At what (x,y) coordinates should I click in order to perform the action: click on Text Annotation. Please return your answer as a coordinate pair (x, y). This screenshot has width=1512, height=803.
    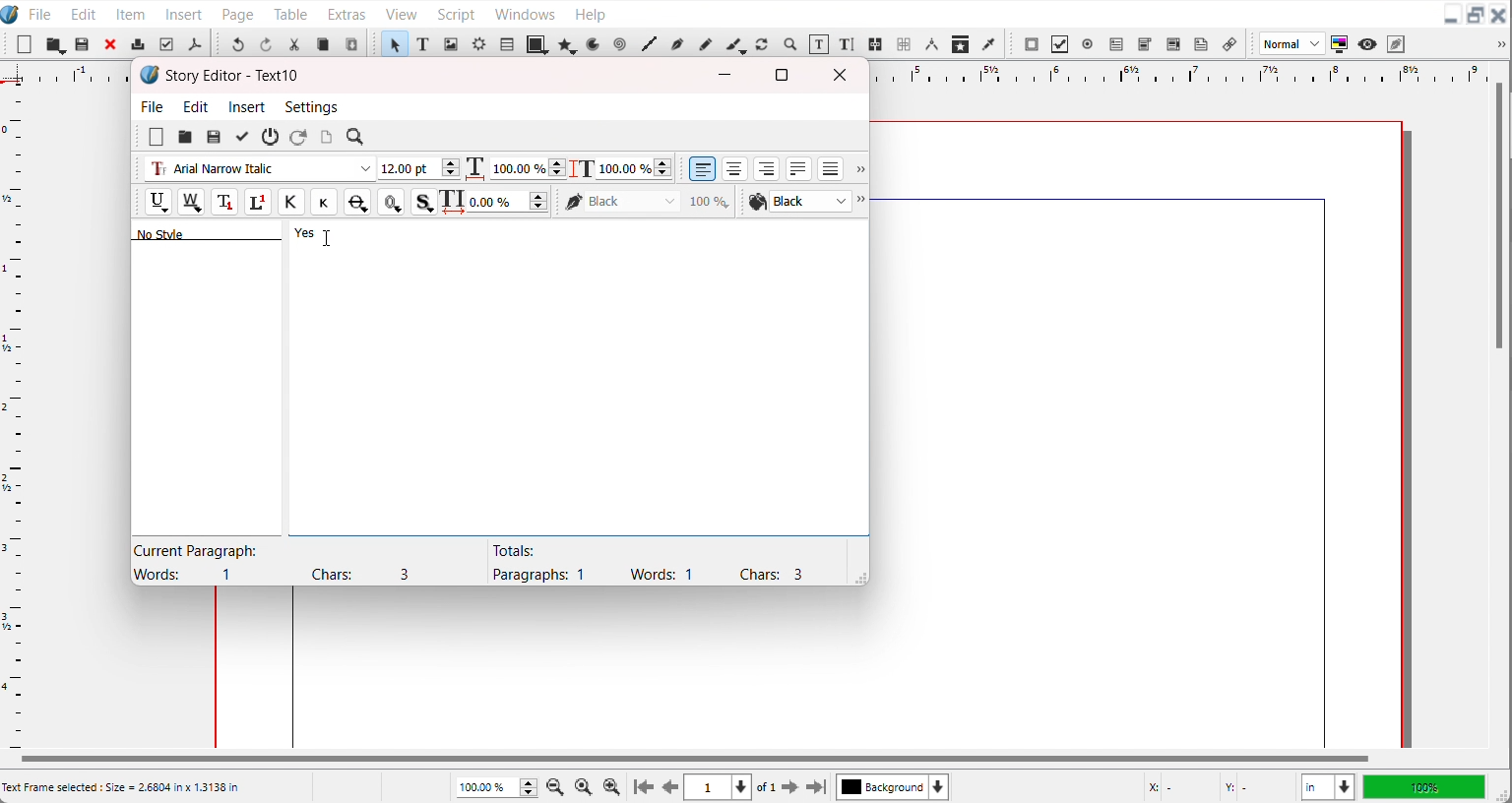
    Looking at the image, I should click on (1201, 44).